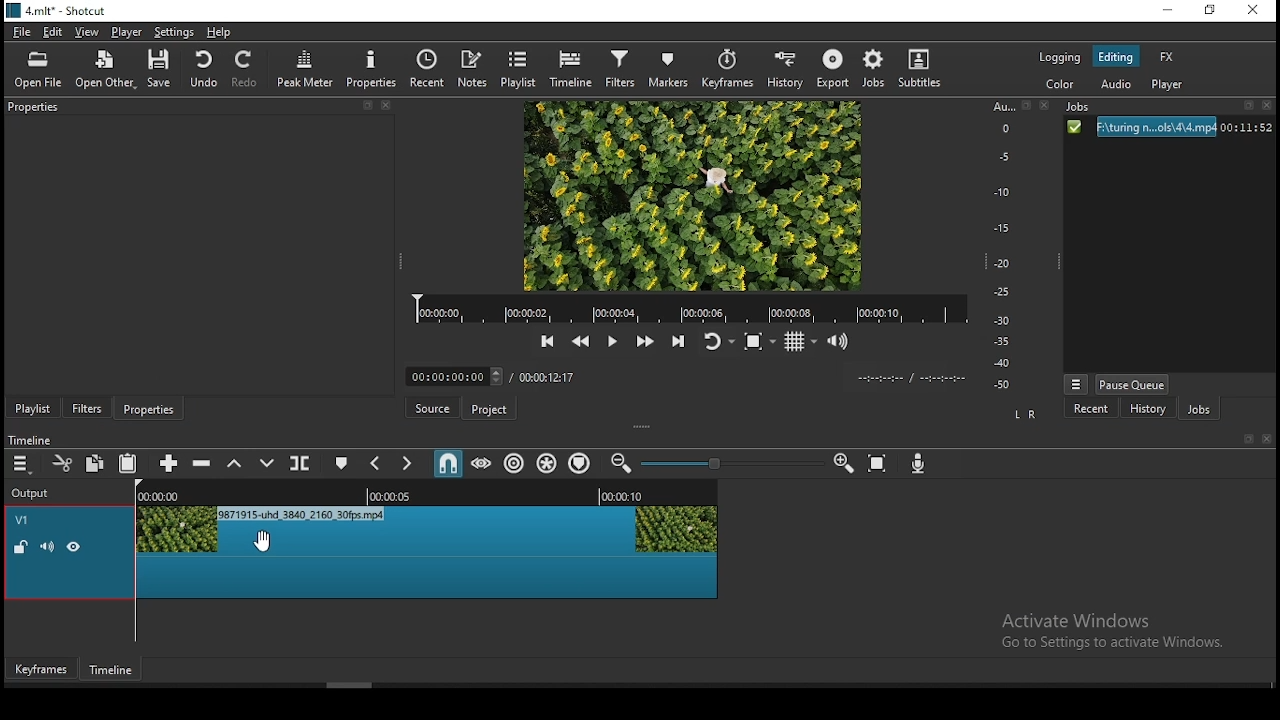 This screenshot has height=720, width=1280. Describe the element at coordinates (342, 462) in the screenshot. I see `create/edit marker` at that location.